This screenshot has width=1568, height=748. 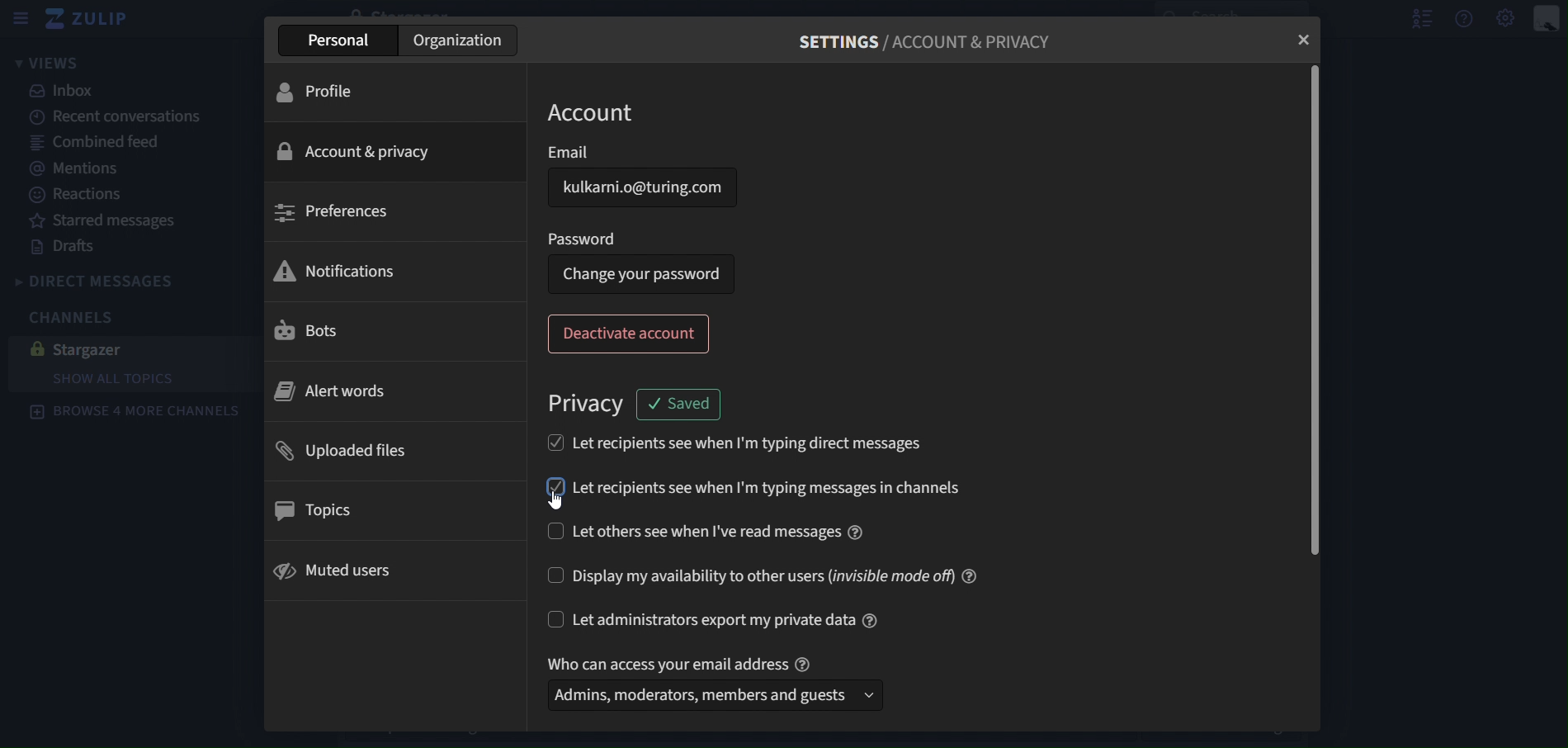 What do you see at coordinates (329, 212) in the screenshot?
I see `preferences` at bounding box center [329, 212].